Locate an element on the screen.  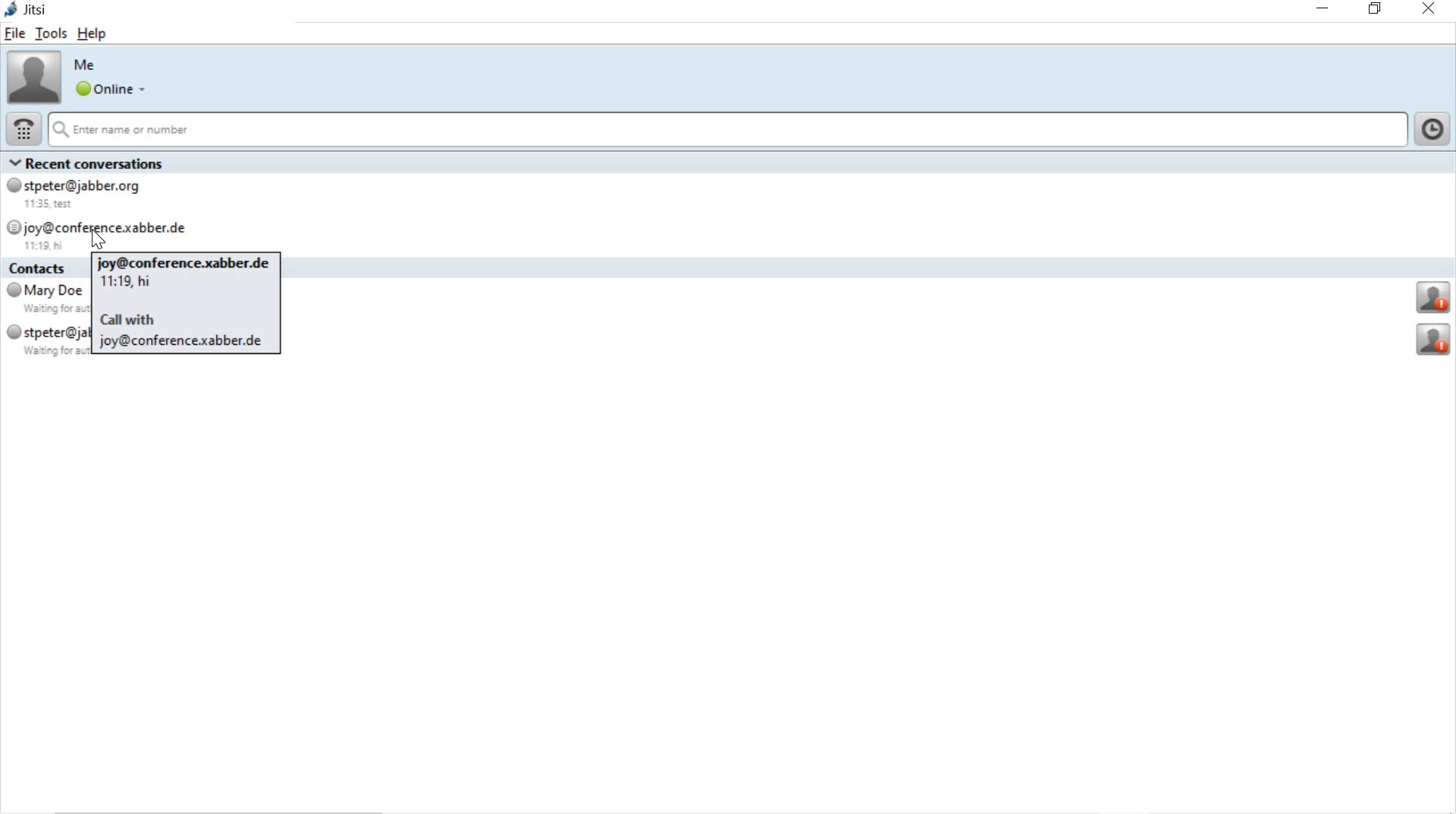
tools is located at coordinates (49, 33).